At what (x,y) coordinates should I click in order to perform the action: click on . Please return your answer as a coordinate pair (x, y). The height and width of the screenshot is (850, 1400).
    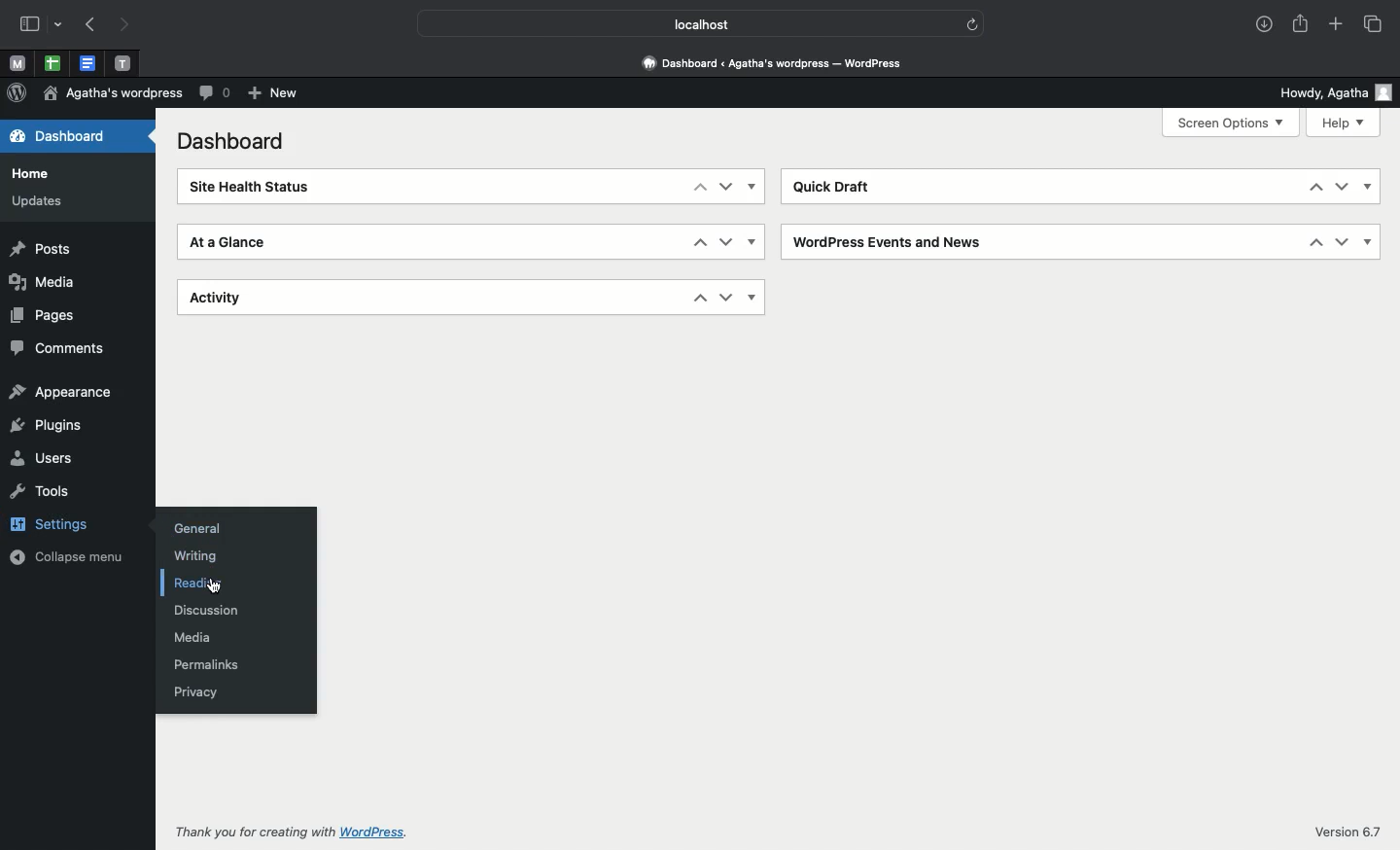
    Looking at the image, I should click on (971, 25).